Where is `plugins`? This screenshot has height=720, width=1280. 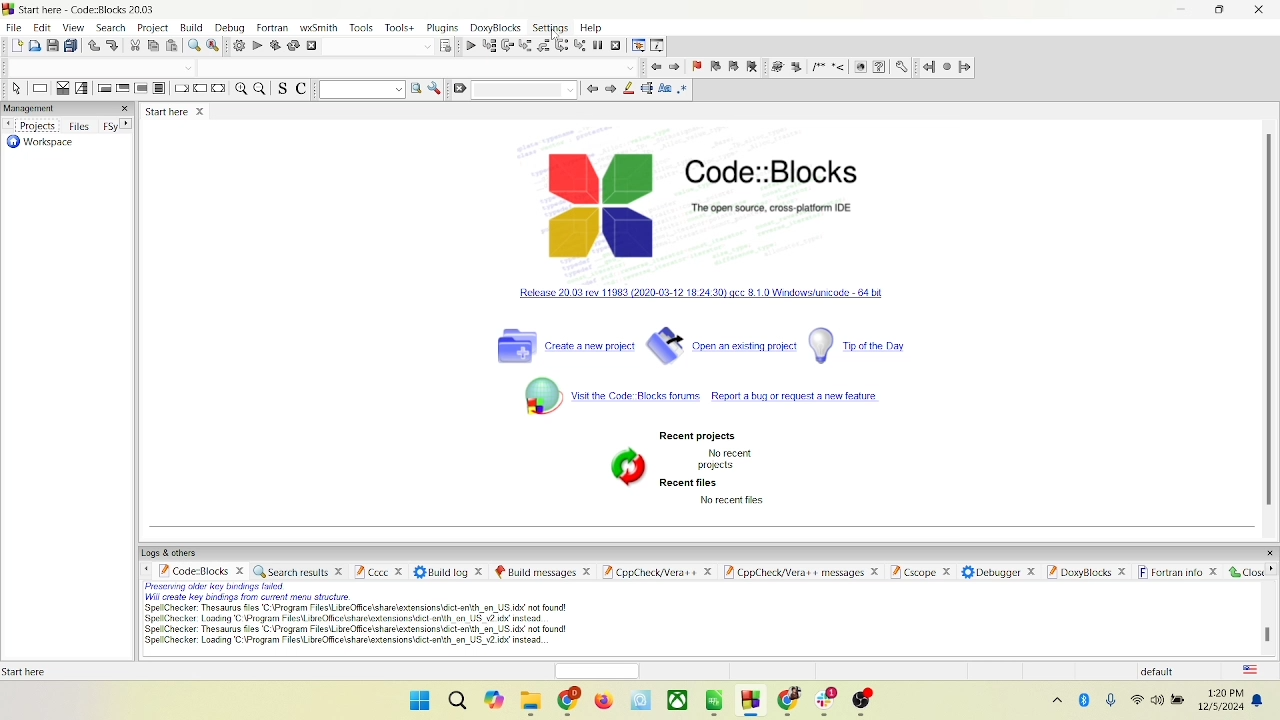 plugins is located at coordinates (442, 27).